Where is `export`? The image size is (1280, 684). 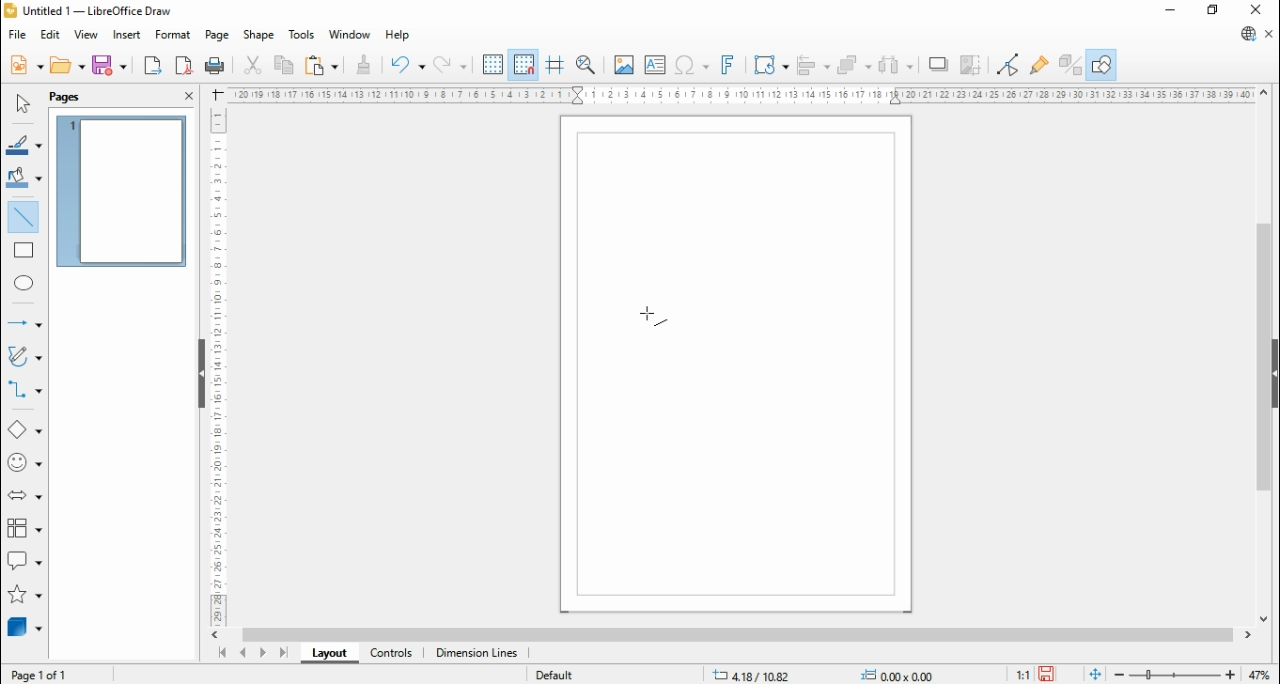 export is located at coordinates (152, 65).